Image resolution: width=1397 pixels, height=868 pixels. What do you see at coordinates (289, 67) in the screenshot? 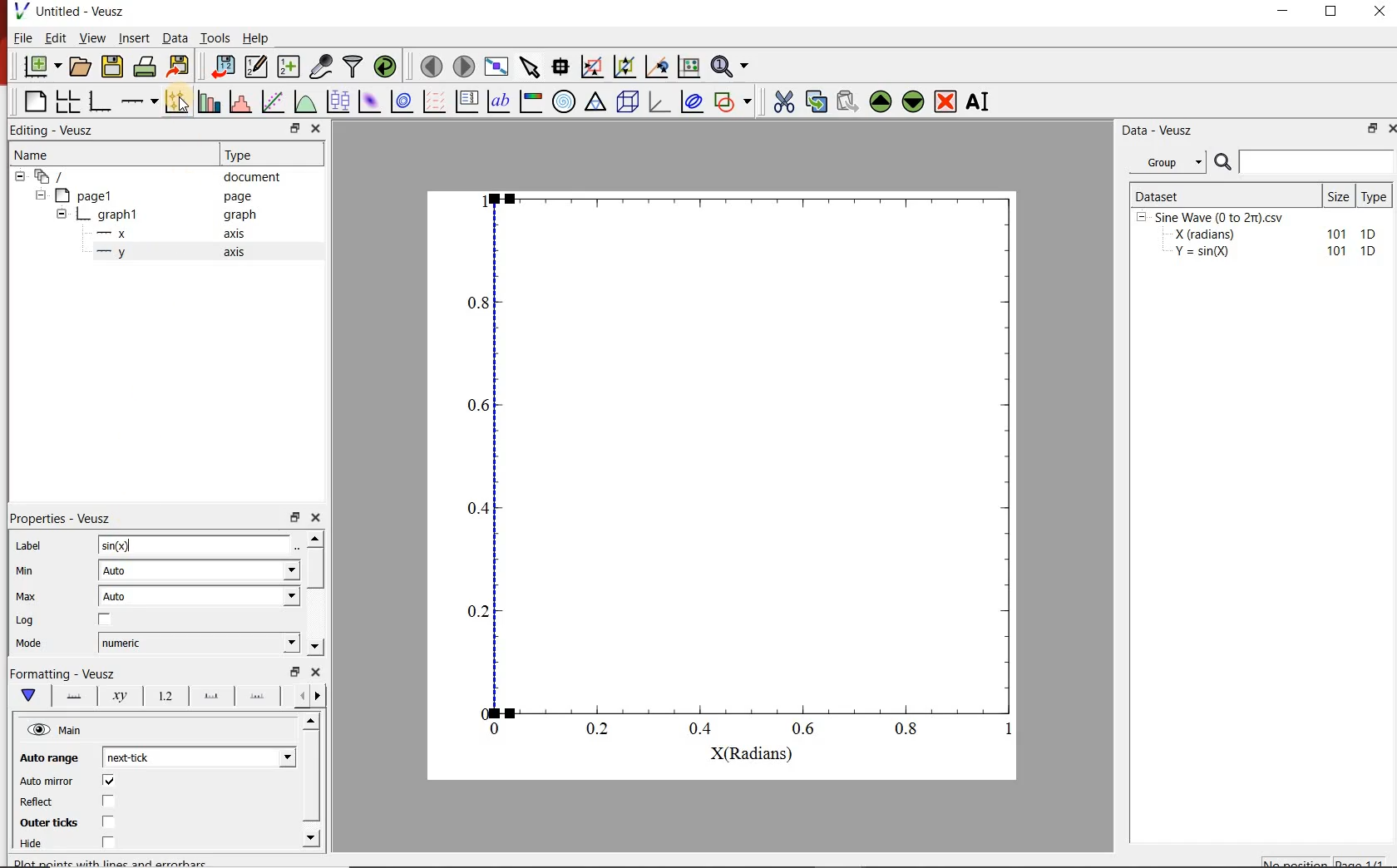
I see `create new datasets` at bounding box center [289, 67].